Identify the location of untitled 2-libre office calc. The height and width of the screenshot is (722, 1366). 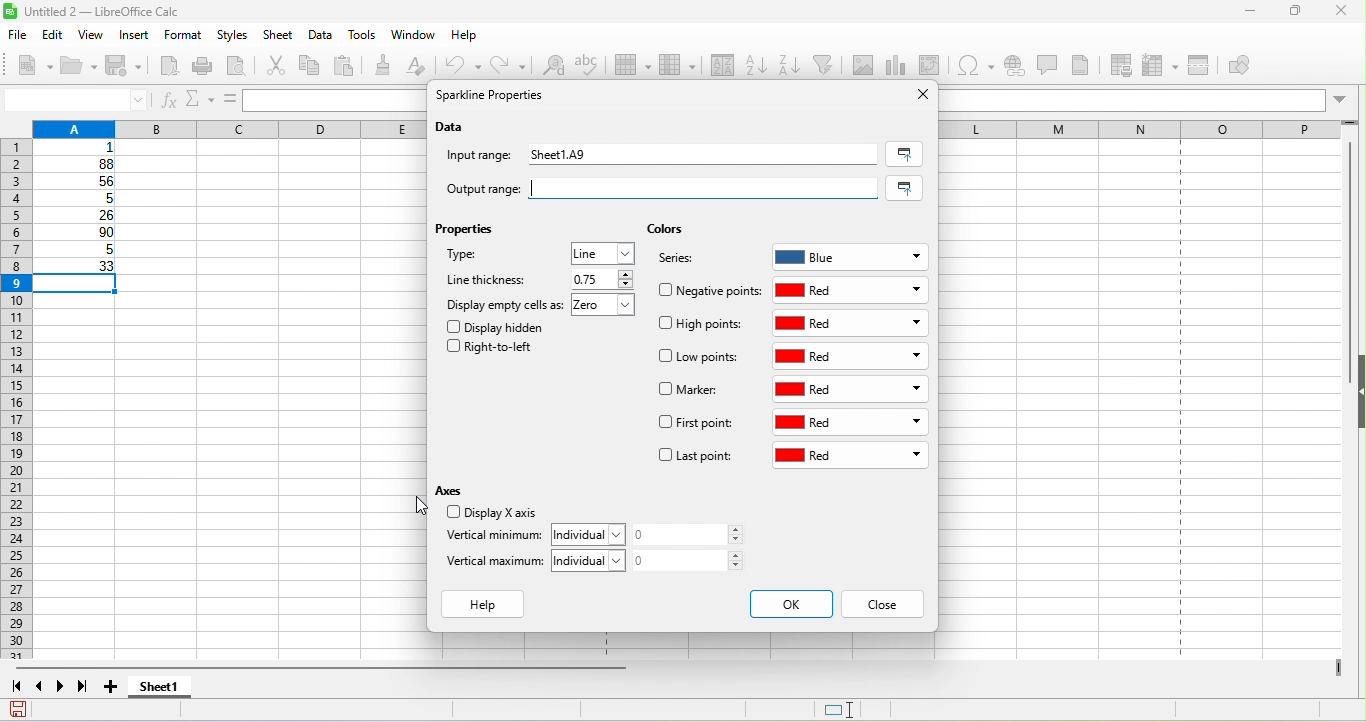
(163, 12).